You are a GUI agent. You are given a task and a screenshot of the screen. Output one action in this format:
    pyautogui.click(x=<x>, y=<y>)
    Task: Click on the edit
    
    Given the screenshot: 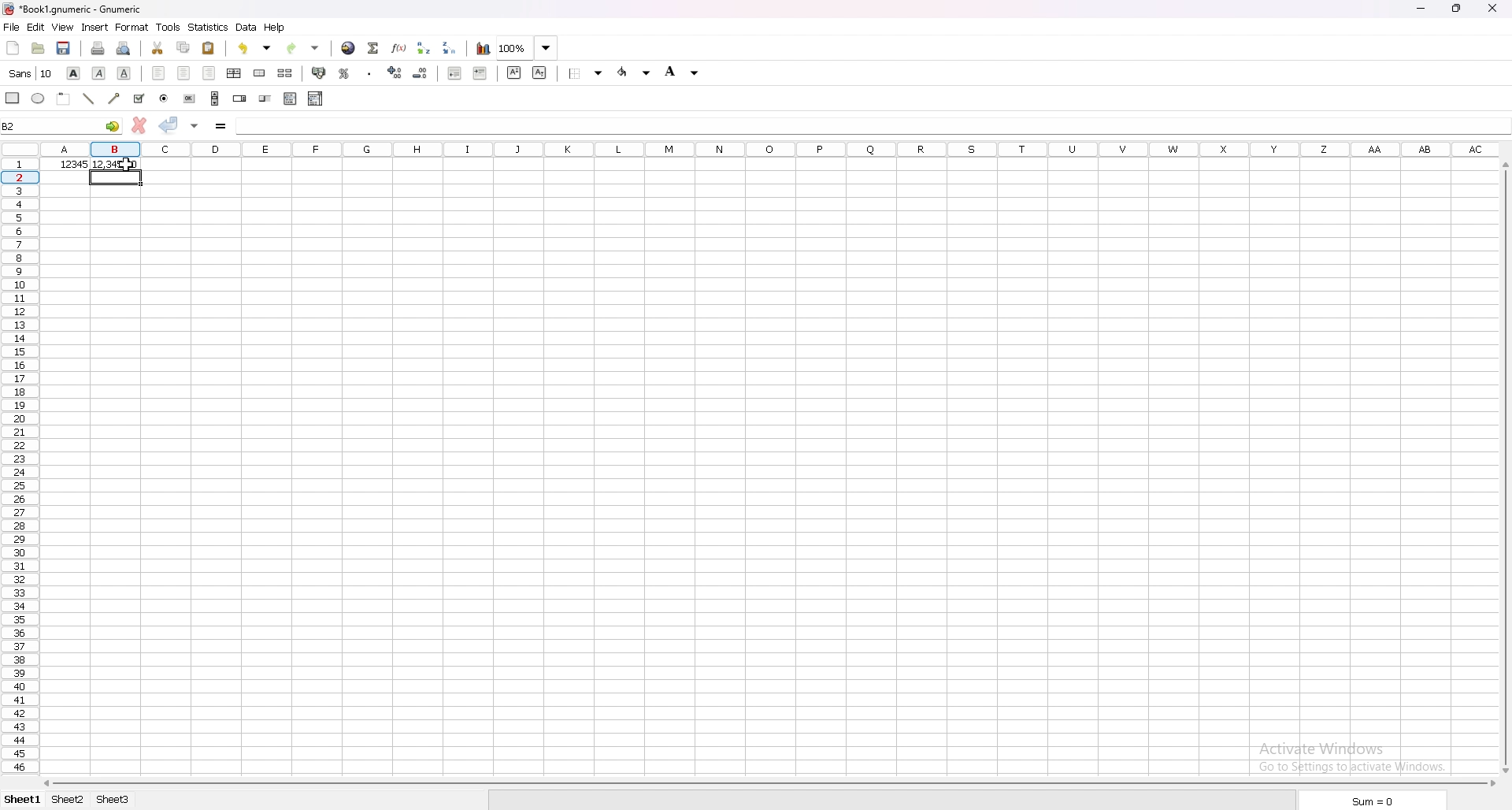 What is the action you would take?
    pyautogui.click(x=35, y=27)
    